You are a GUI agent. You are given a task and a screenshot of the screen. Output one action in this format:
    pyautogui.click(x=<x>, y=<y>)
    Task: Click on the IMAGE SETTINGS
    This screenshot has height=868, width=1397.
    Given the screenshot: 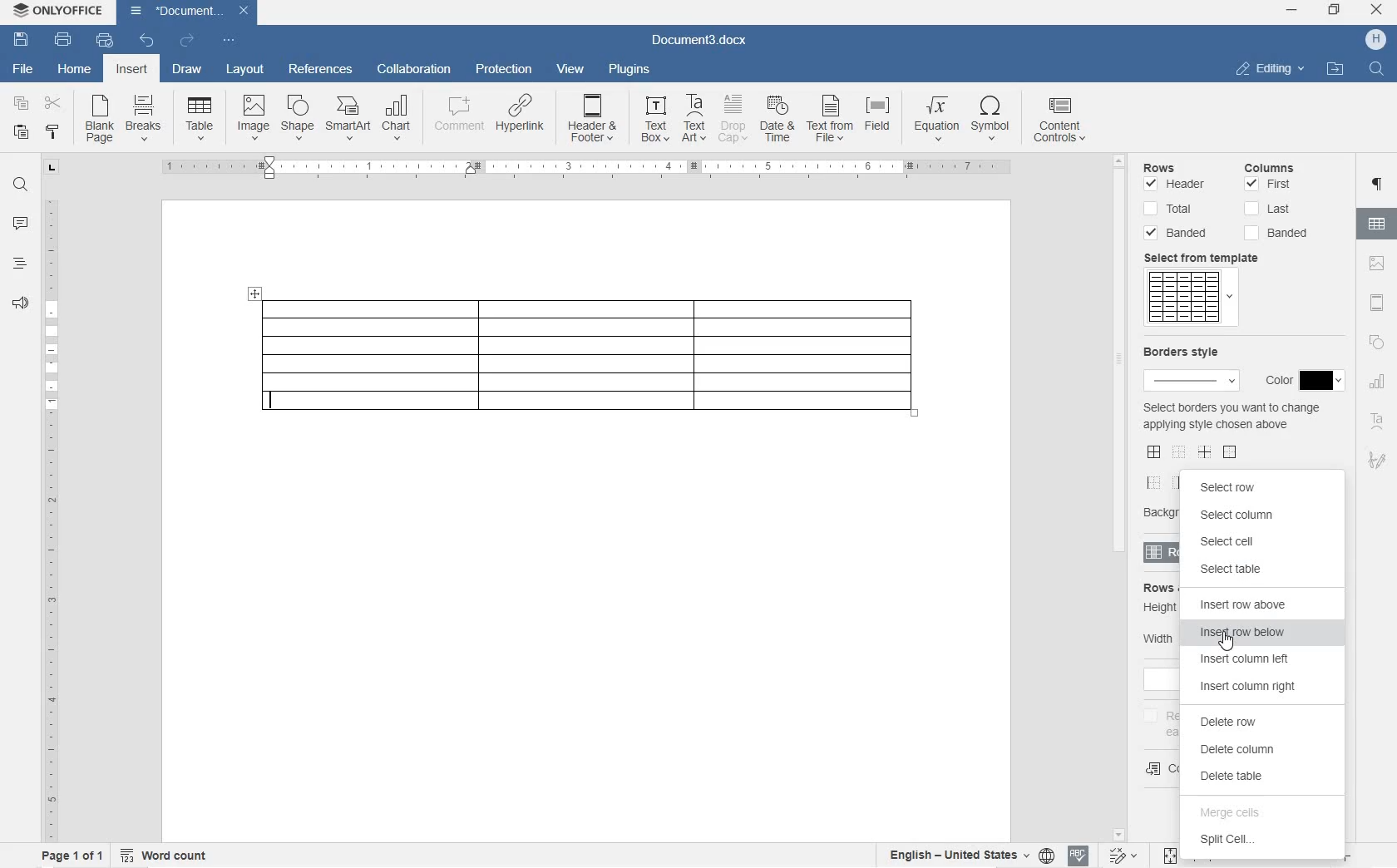 What is the action you would take?
    pyautogui.click(x=1379, y=264)
    